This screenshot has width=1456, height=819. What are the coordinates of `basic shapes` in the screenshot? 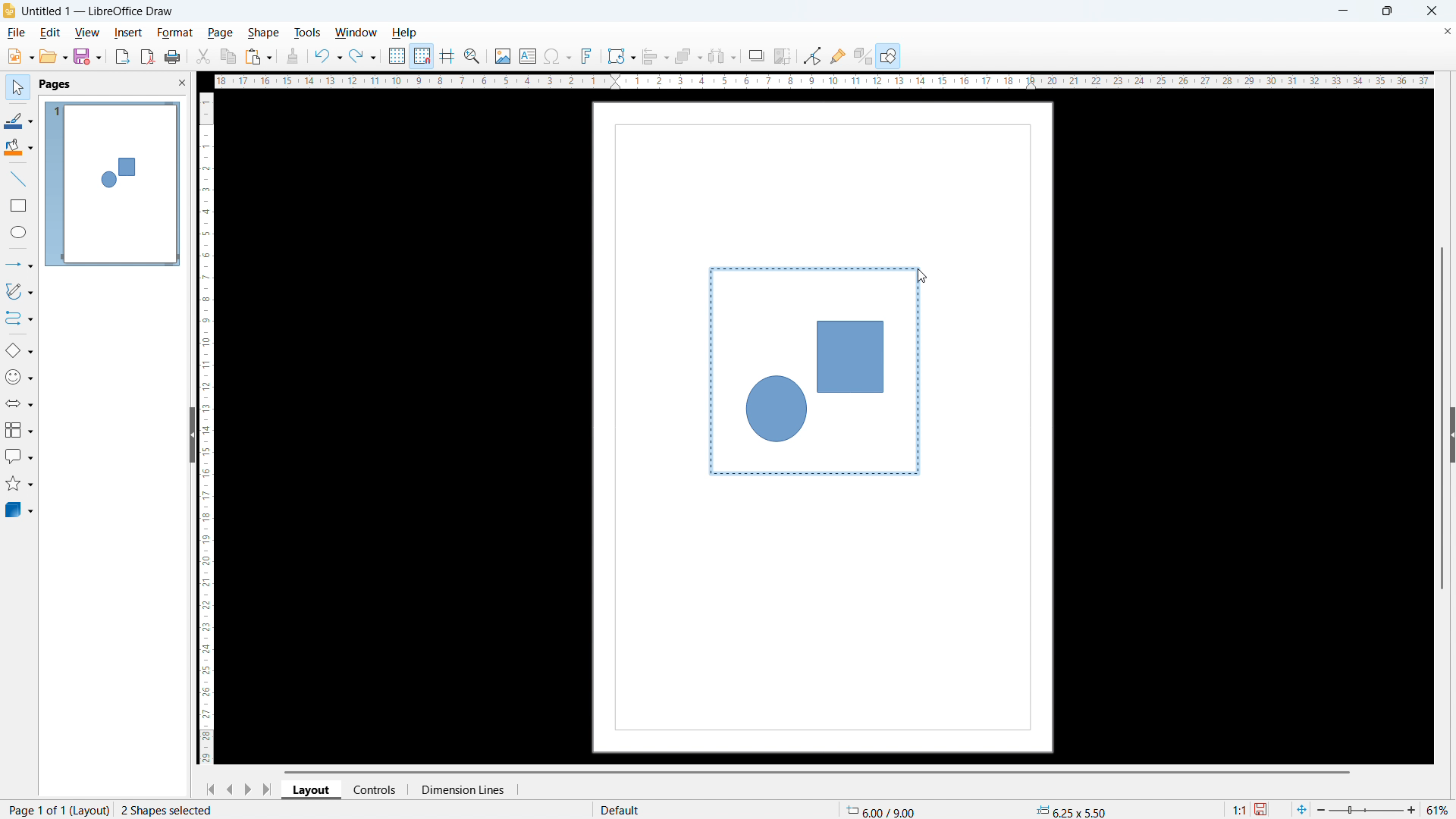 It's located at (20, 350).